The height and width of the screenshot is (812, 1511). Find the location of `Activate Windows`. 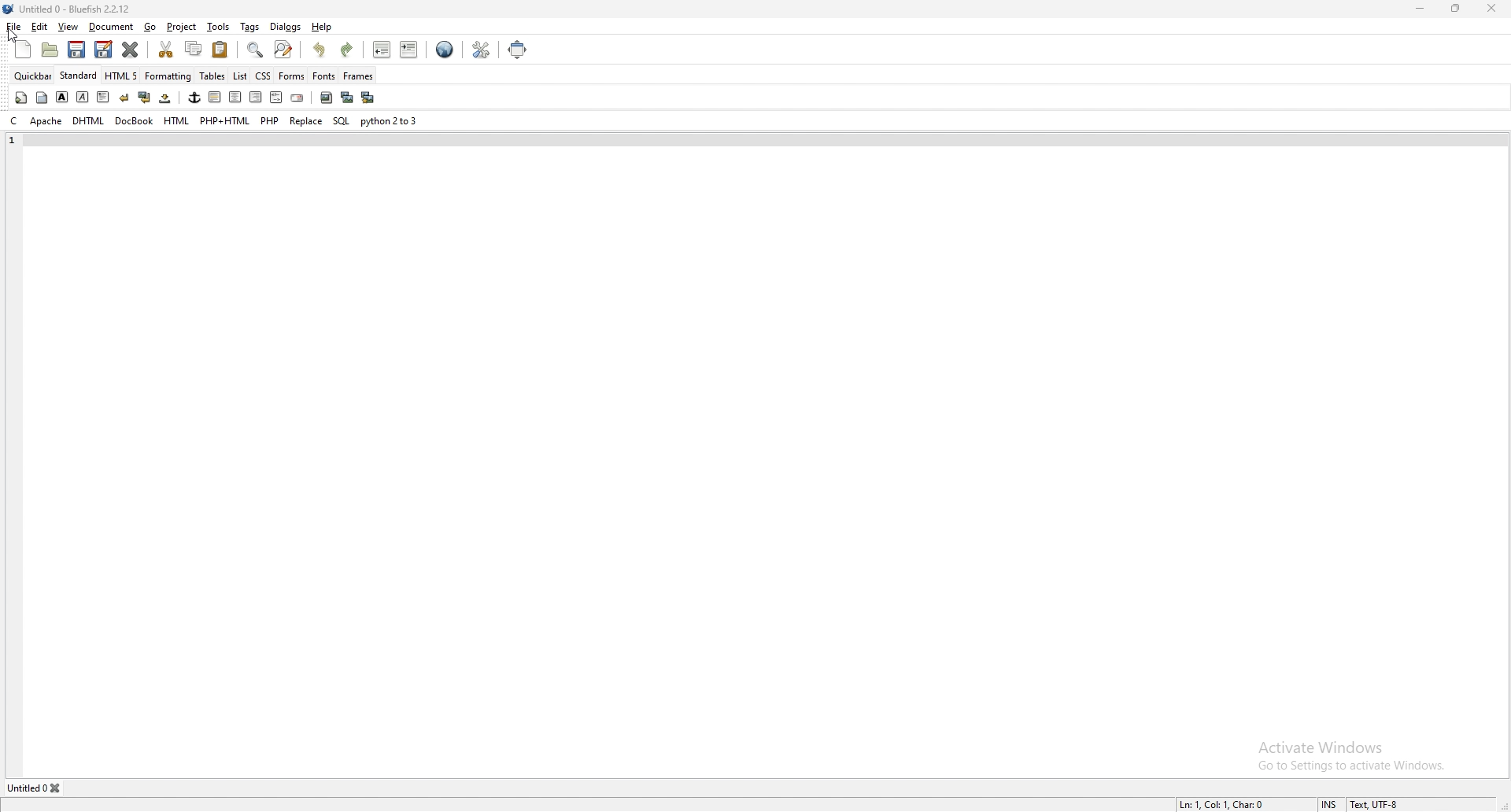

Activate Windows is located at coordinates (1324, 747).